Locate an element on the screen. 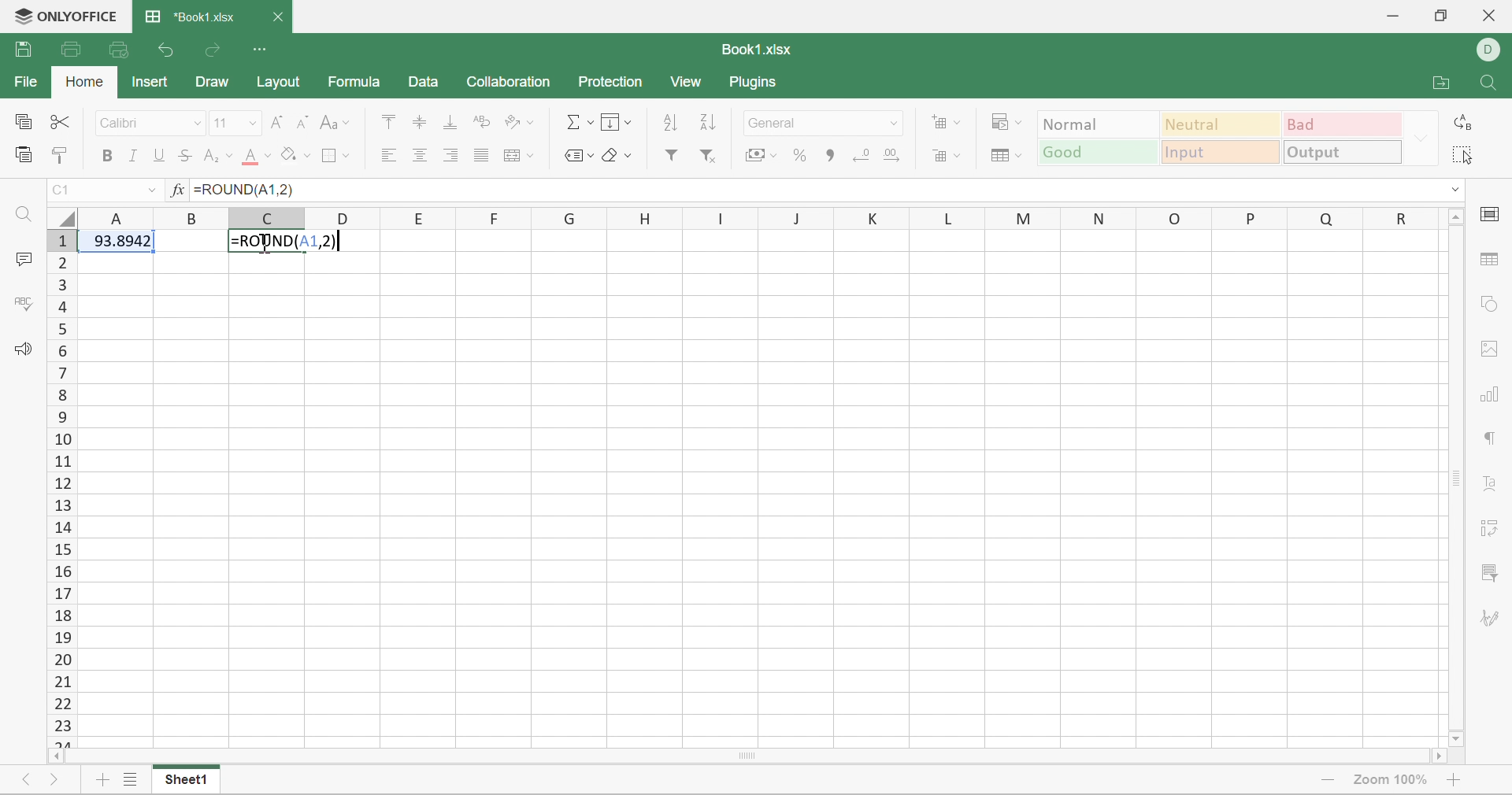 Image resolution: width=1512 pixels, height=795 pixels. Neutral is located at coordinates (1224, 124).